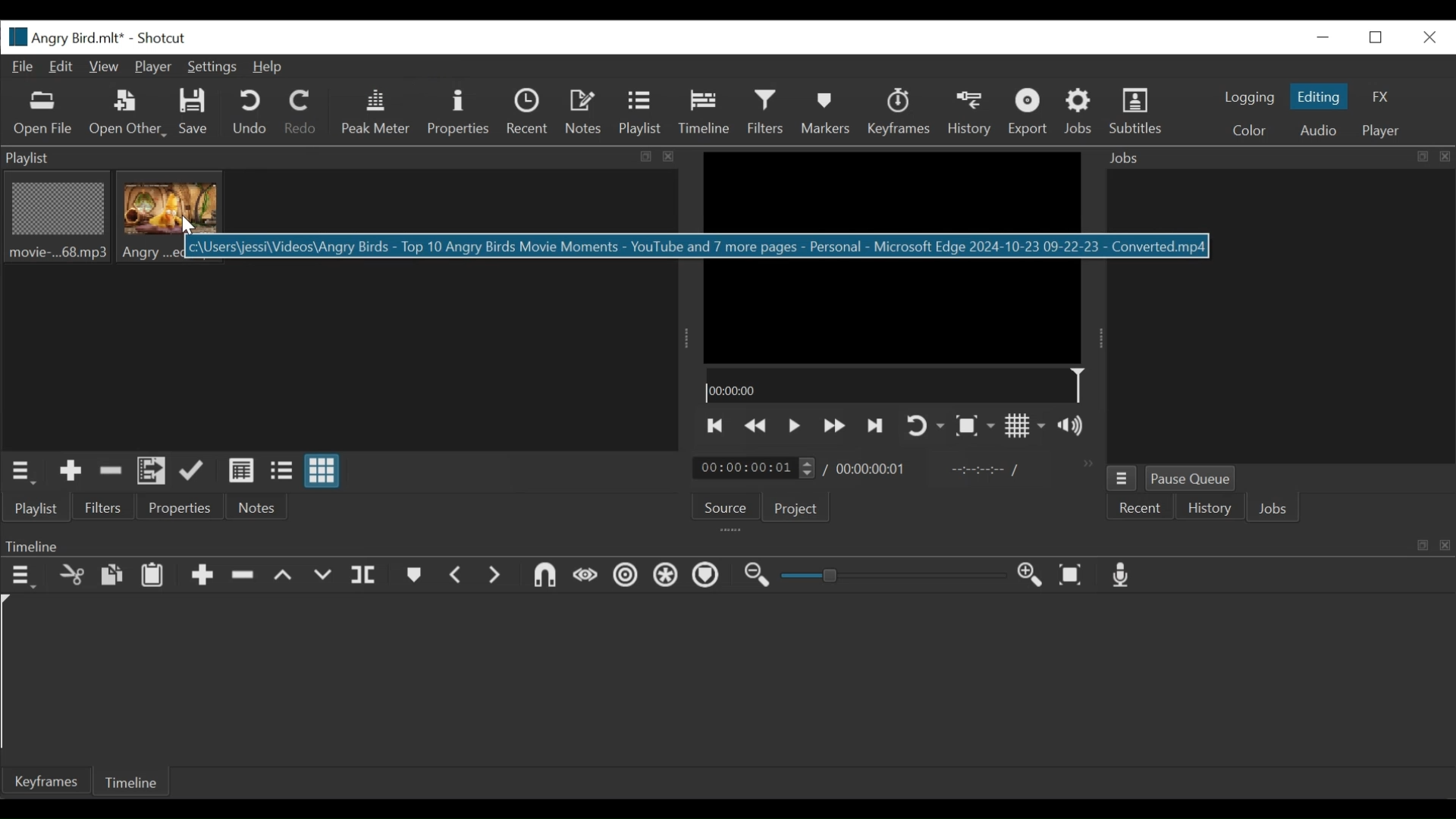 Image resolution: width=1456 pixels, height=819 pixels. What do you see at coordinates (893, 384) in the screenshot?
I see `Timeline` at bounding box center [893, 384].